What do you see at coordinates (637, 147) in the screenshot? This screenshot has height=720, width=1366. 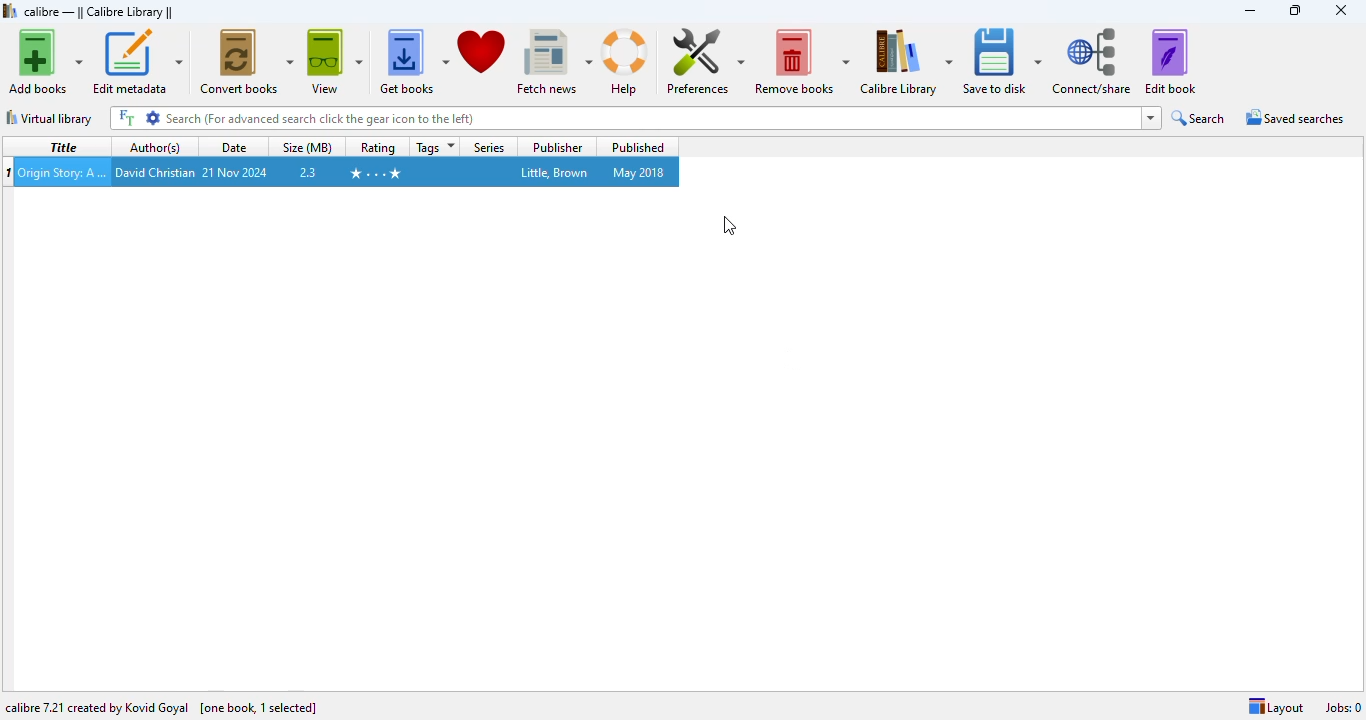 I see `published` at bounding box center [637, 147].